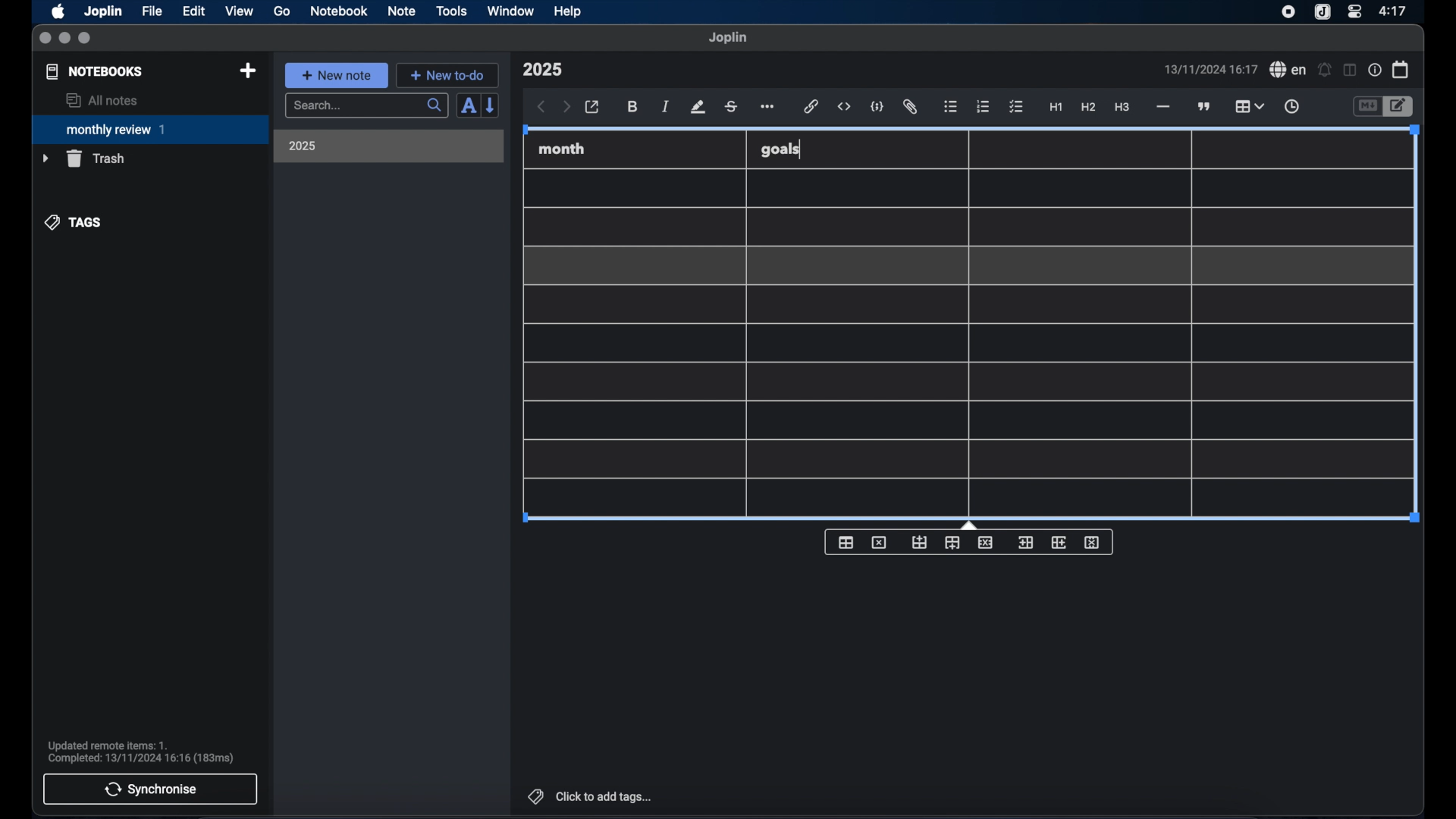 The width and height of the screenshot is (1456, 819). What do you see at coordinates (339, 11) in the screenshot?
I see `notebook` at bounding box center [339, 11].